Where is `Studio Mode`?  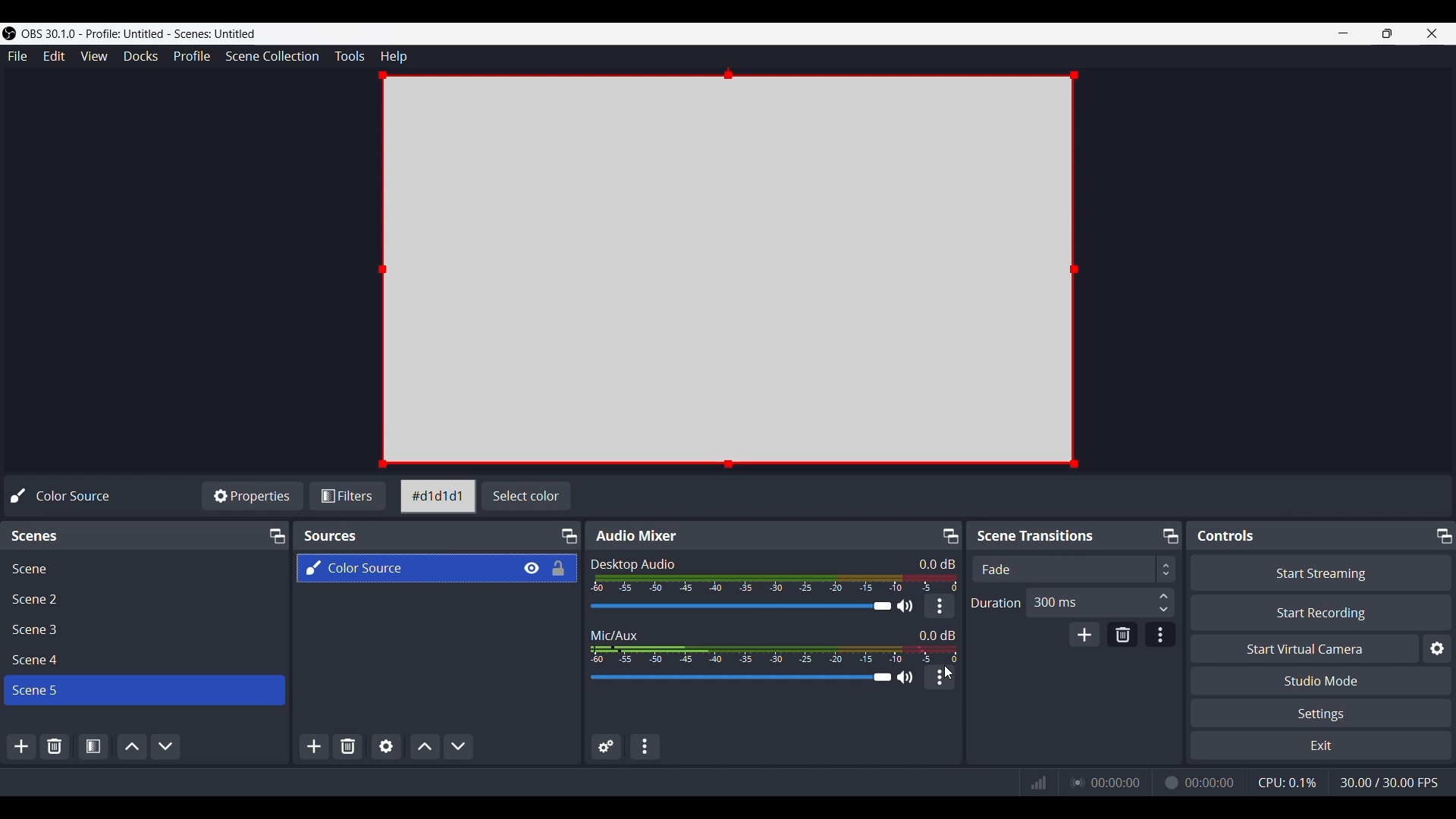
Studio Mode is located at coordinates (1322, 680).